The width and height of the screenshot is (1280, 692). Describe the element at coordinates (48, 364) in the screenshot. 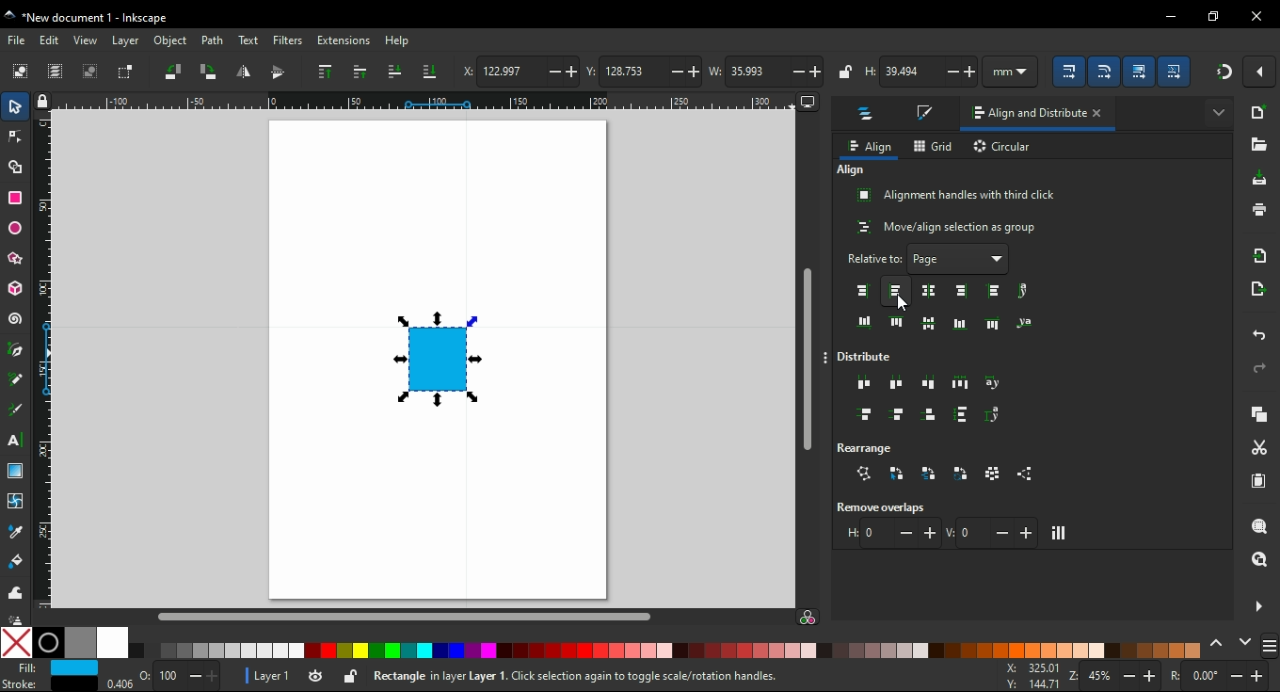

I see `vertical ruler` at that location.